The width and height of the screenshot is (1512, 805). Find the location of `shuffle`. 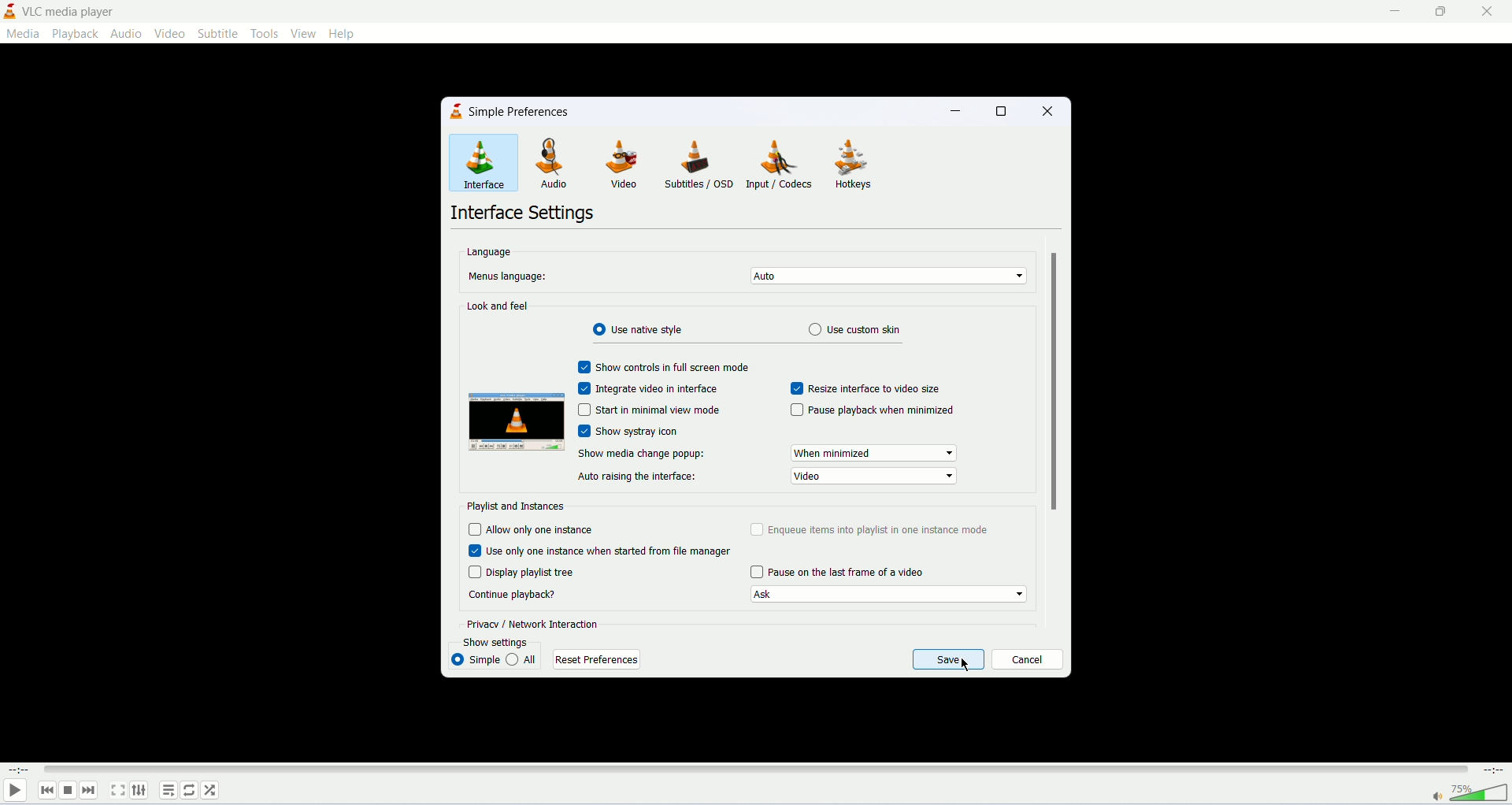

shuffle is located at coordinates (210, 789).